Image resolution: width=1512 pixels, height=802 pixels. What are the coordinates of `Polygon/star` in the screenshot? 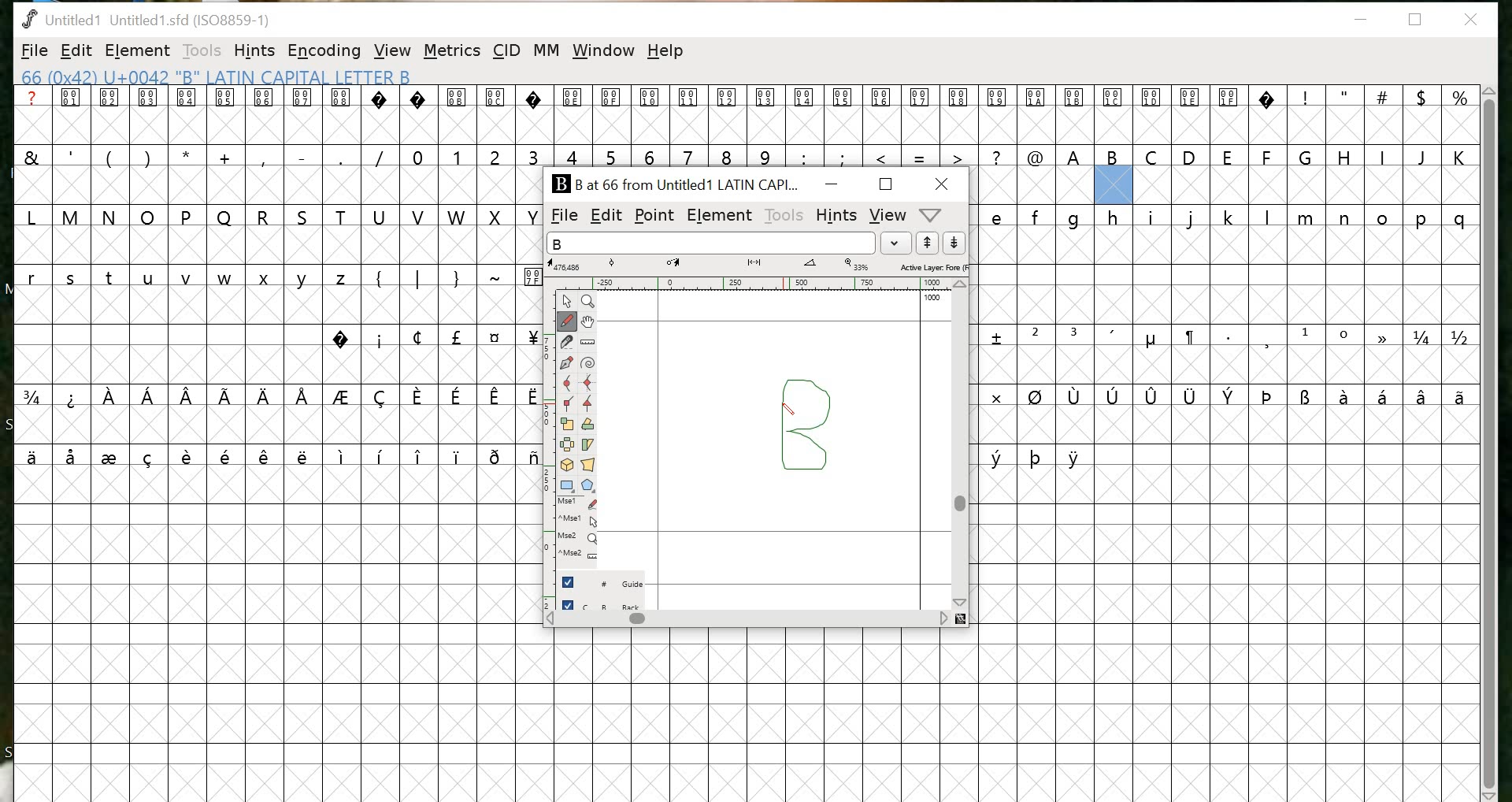 It's located at (589, 485).